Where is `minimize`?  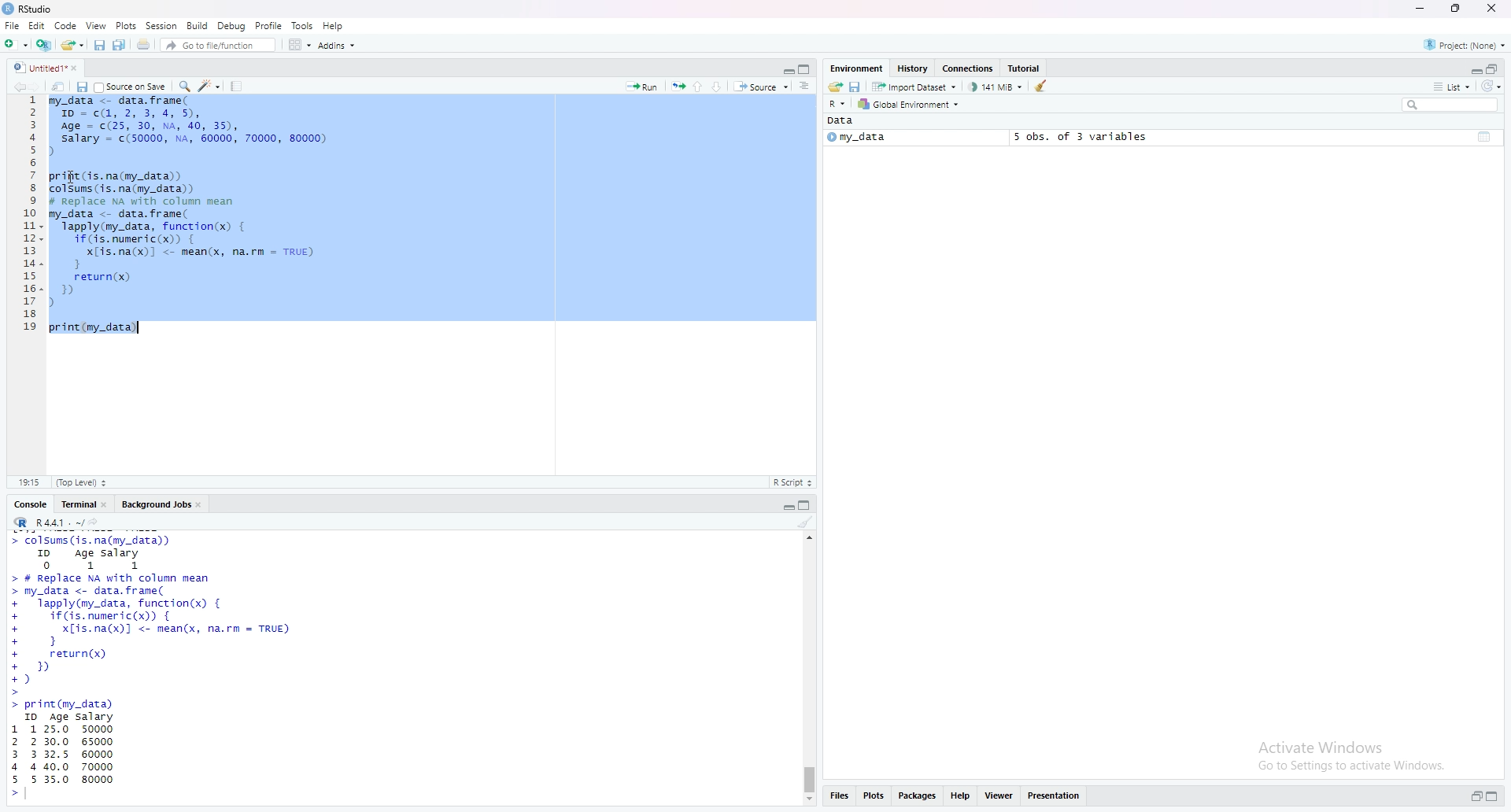
minimize is located at coordinates (1417, 9).